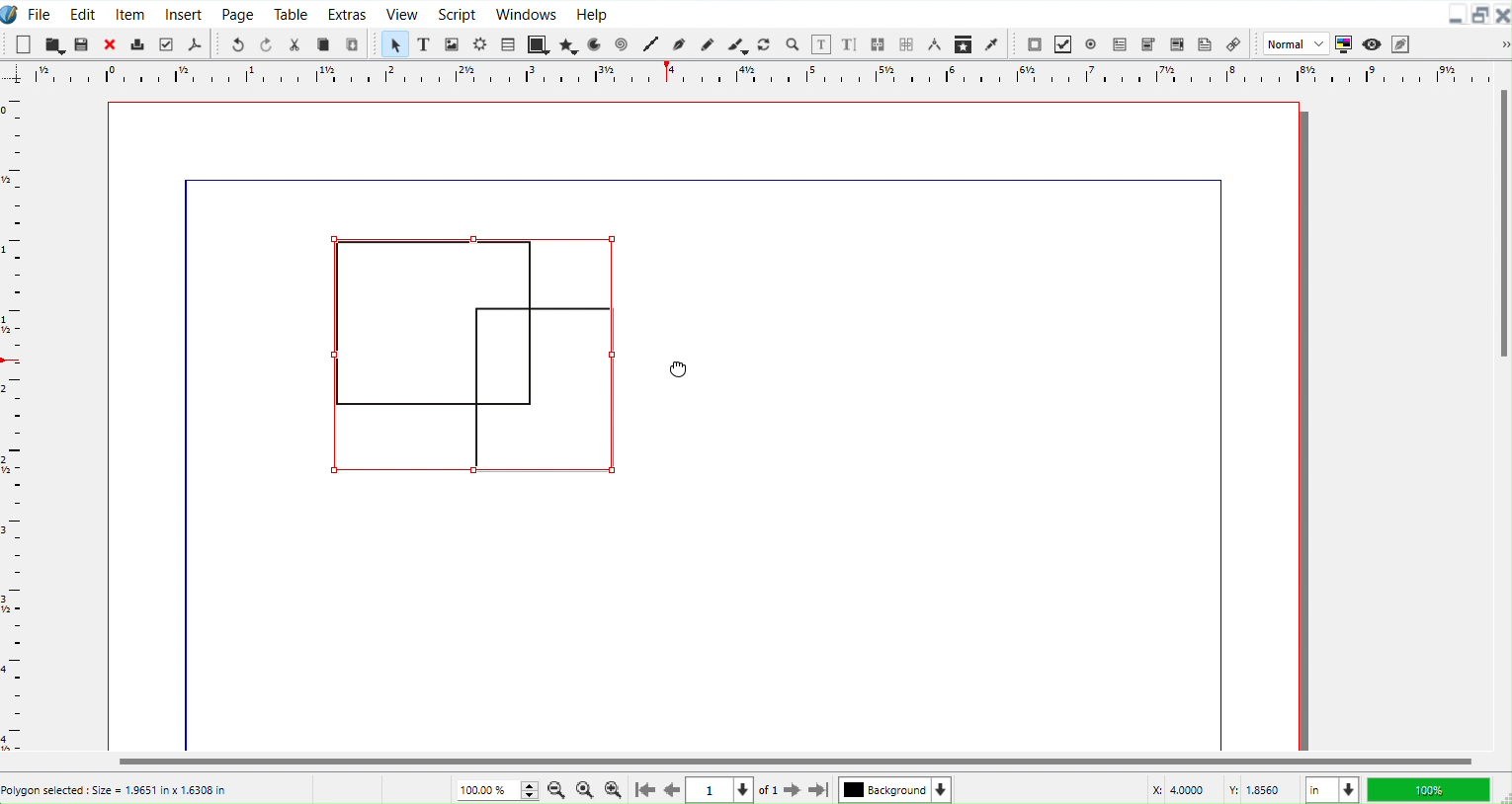  What do you see at coordinates (743, 76) in the screenshot?
I see `Vertical Scale` at bounding box center [743, 76].